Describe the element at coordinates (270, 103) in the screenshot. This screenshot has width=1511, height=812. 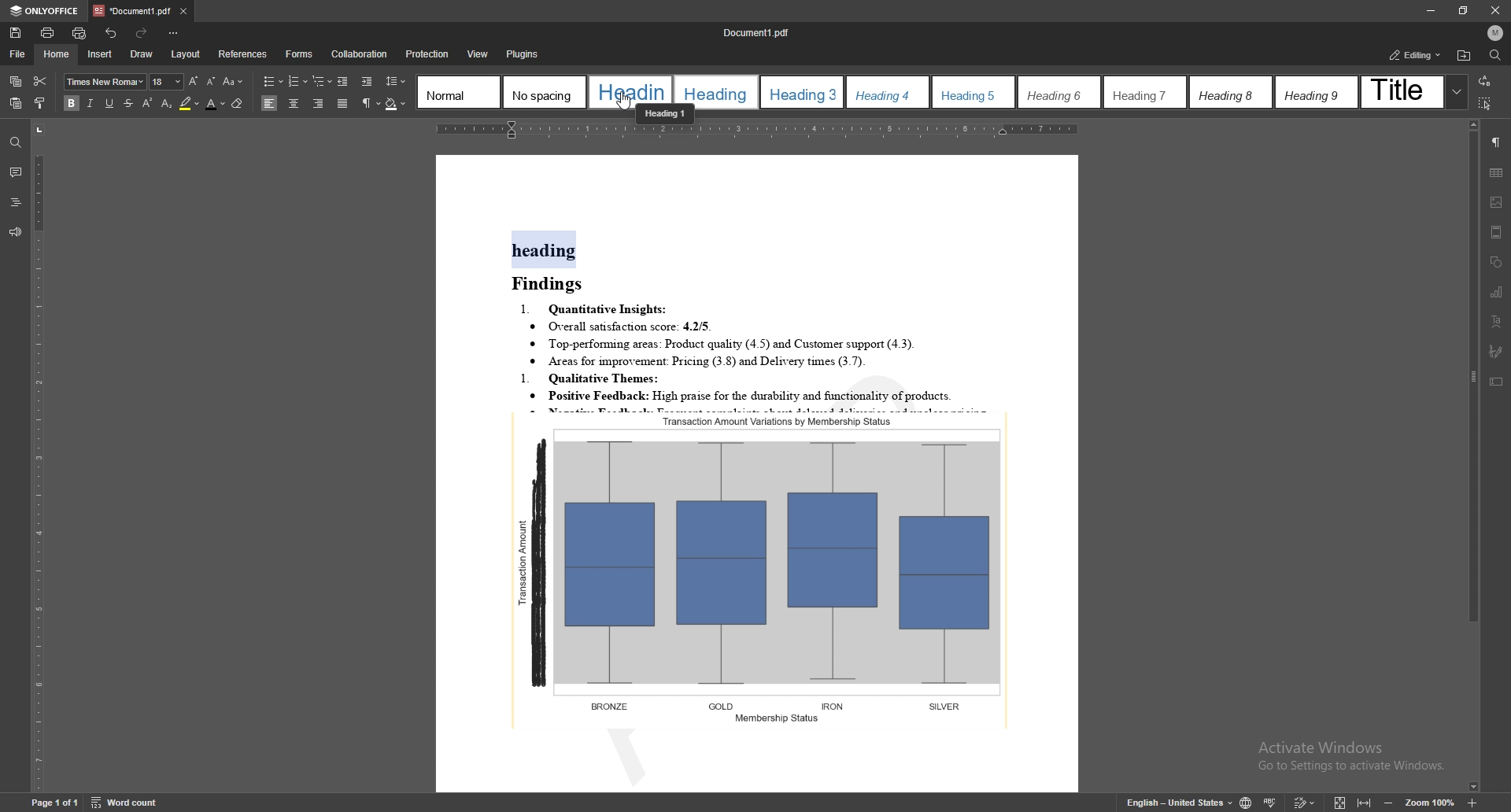
I see `align left` at that location.